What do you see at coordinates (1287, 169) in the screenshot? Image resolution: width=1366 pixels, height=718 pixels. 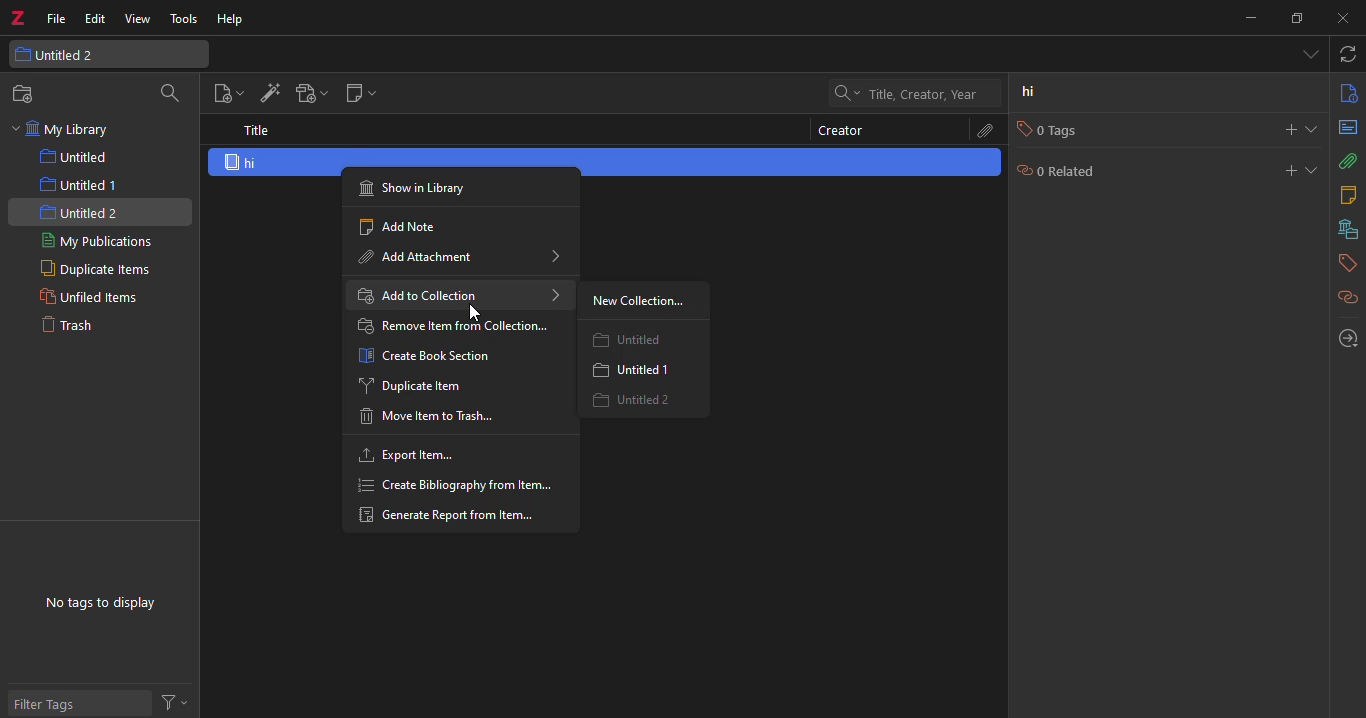 I see `add` at bounding box center [1287, 169].